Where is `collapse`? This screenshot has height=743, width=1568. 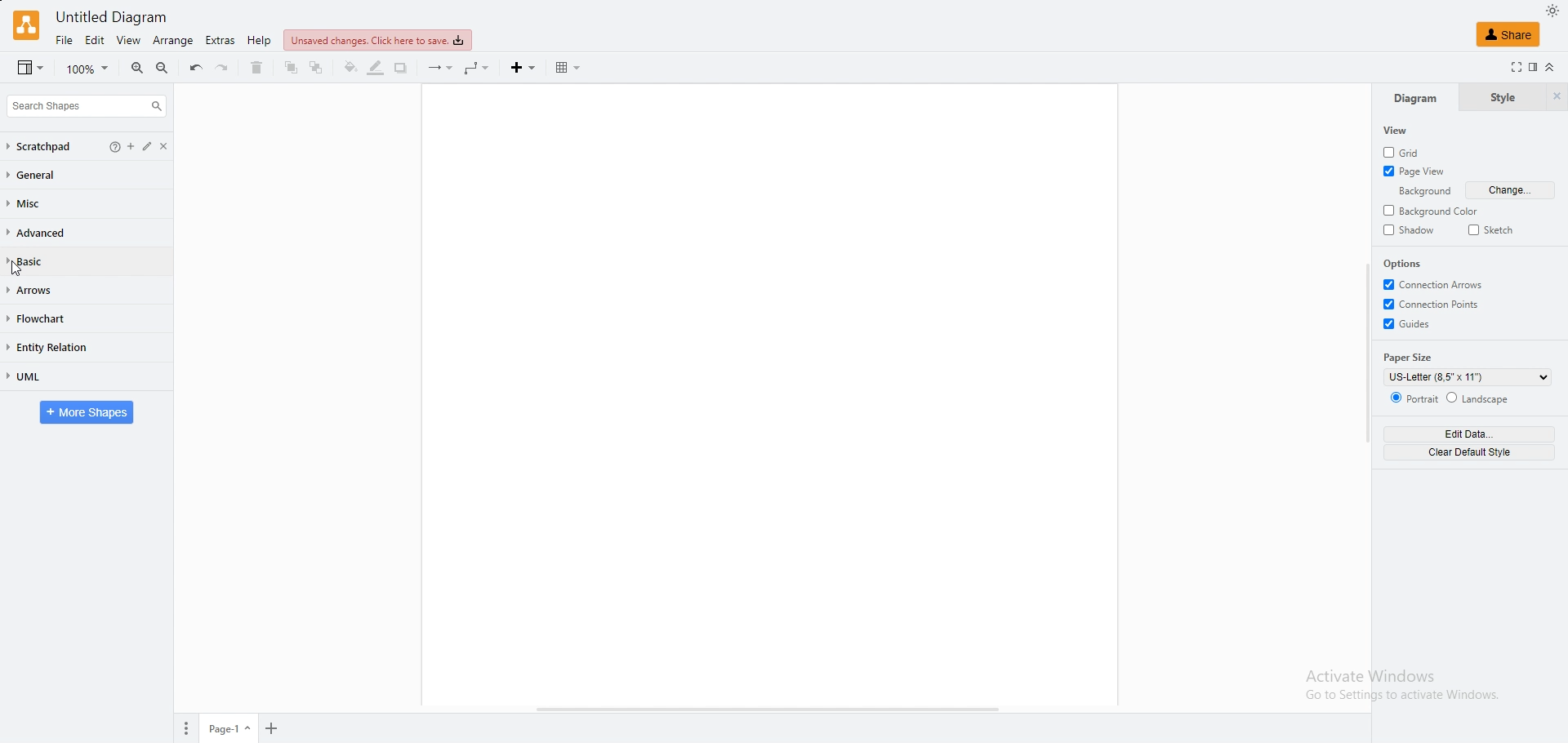
collapse is located at coordinates (1549, 67).